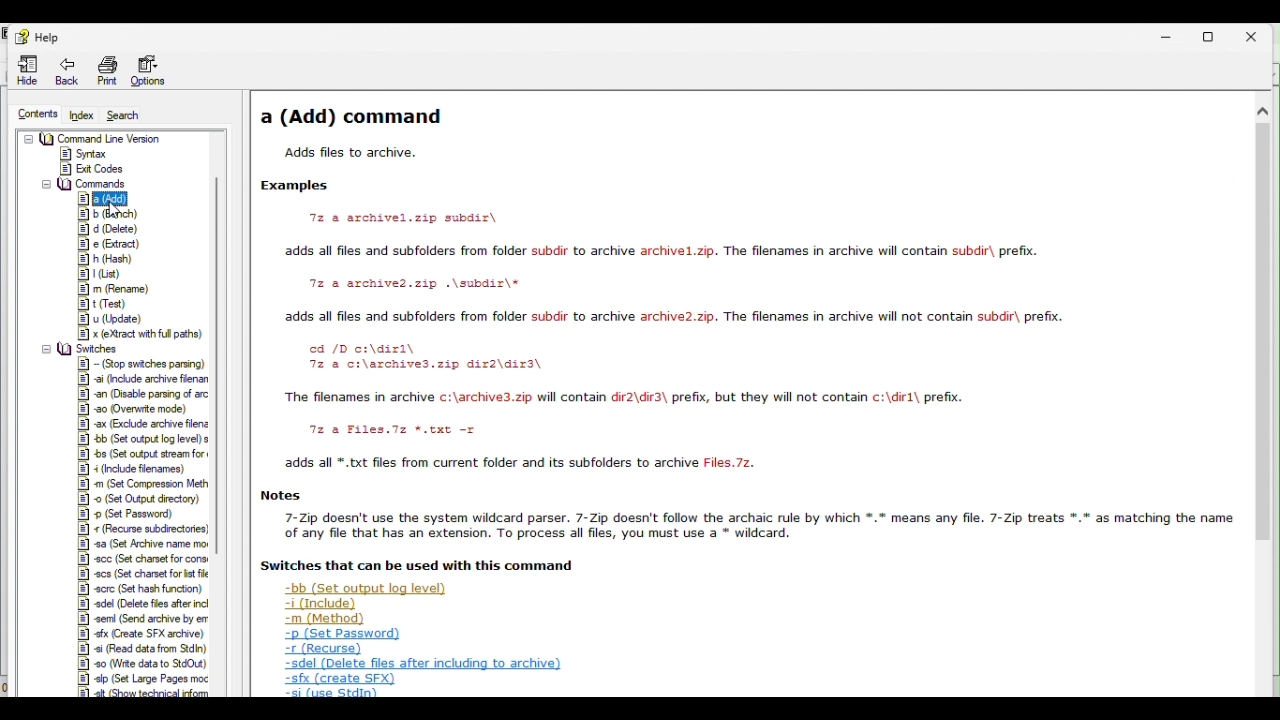 This screenshot has width=1280, height=720. What do you see at coordinates (119, 214) in the screenshot?
I see `b` at bounding box center [119, 214].